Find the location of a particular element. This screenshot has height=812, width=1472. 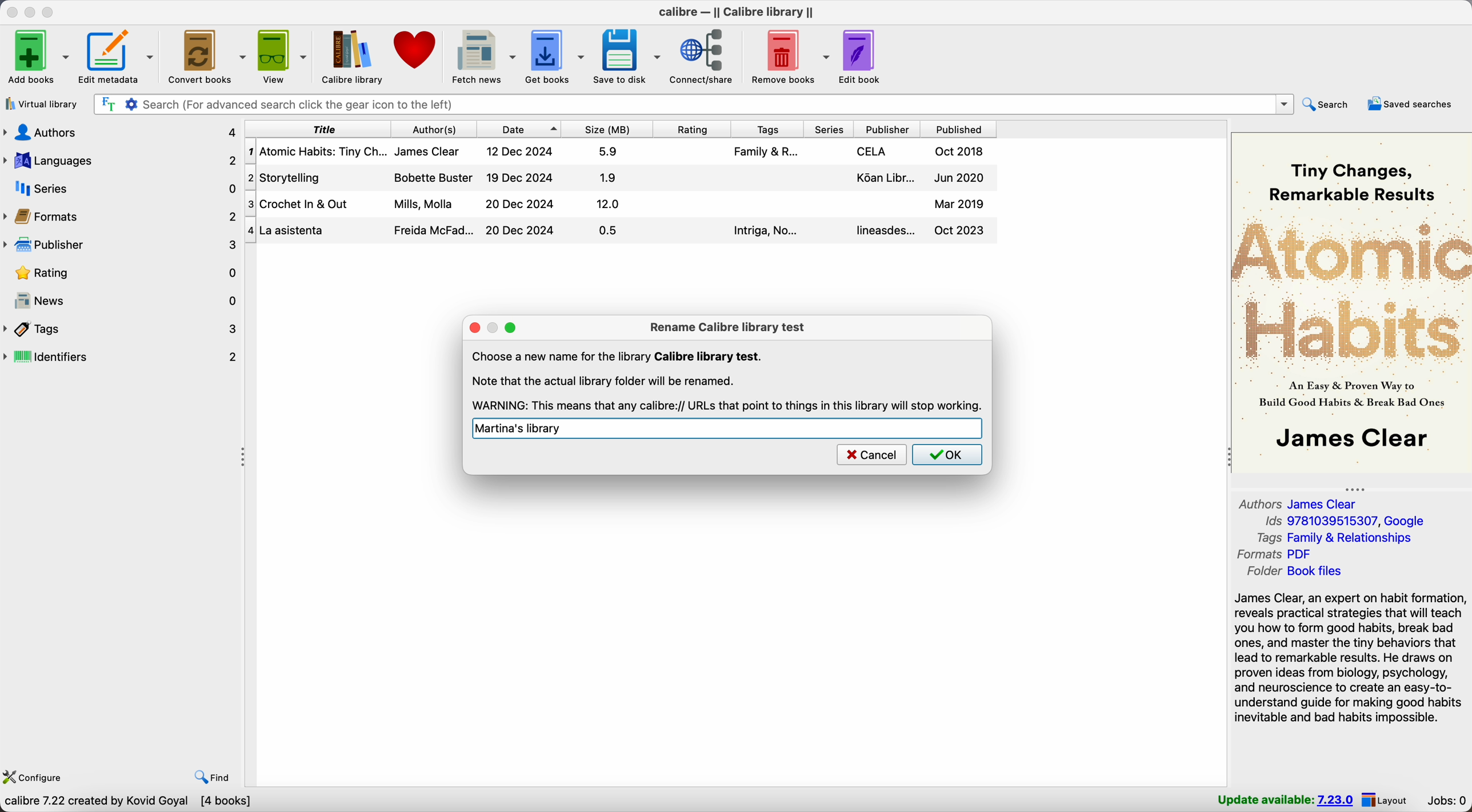

search is located at coordinates (1329, 105).